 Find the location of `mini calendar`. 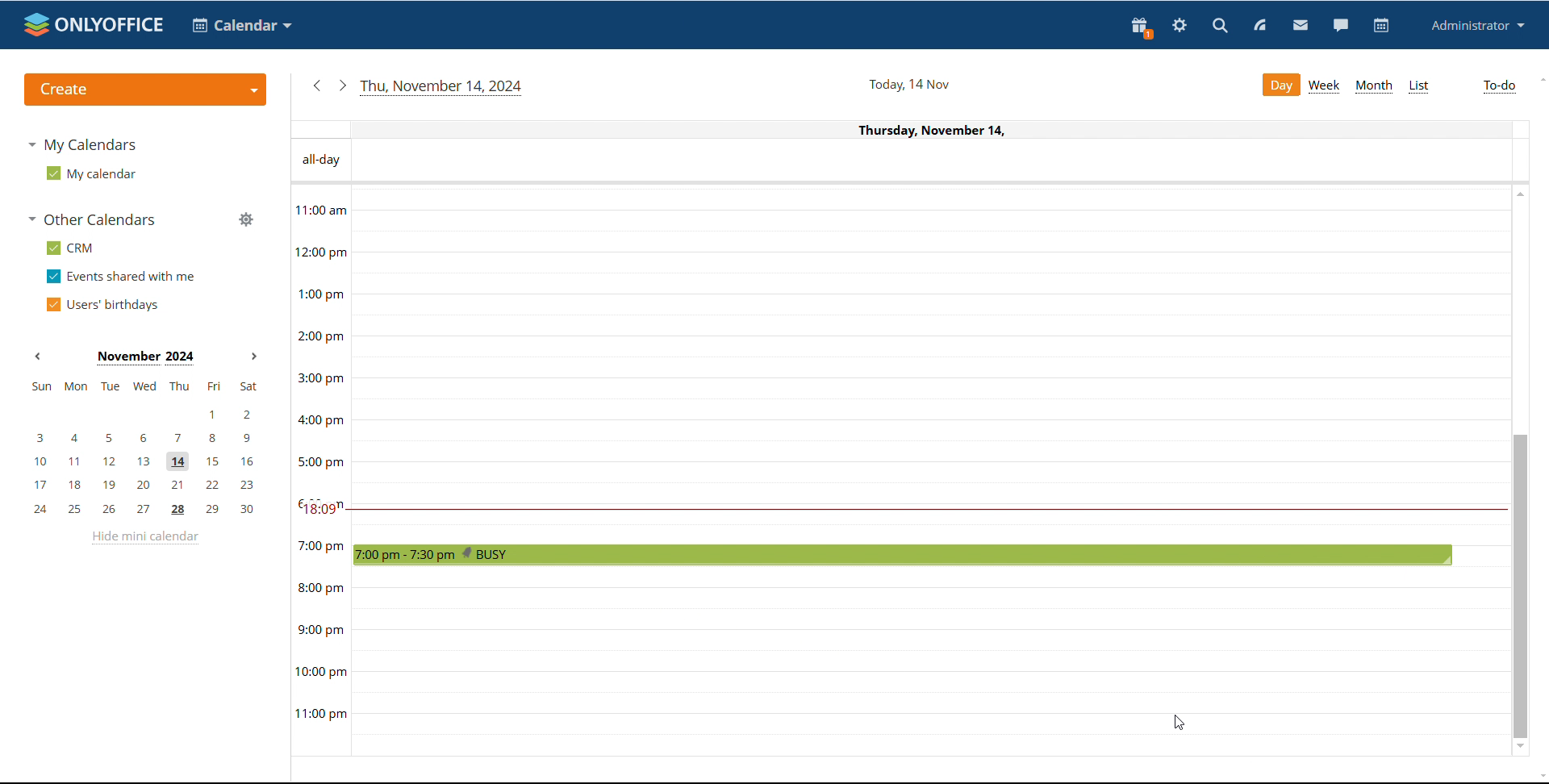

mini calendar is located at coordinates (144, 448).